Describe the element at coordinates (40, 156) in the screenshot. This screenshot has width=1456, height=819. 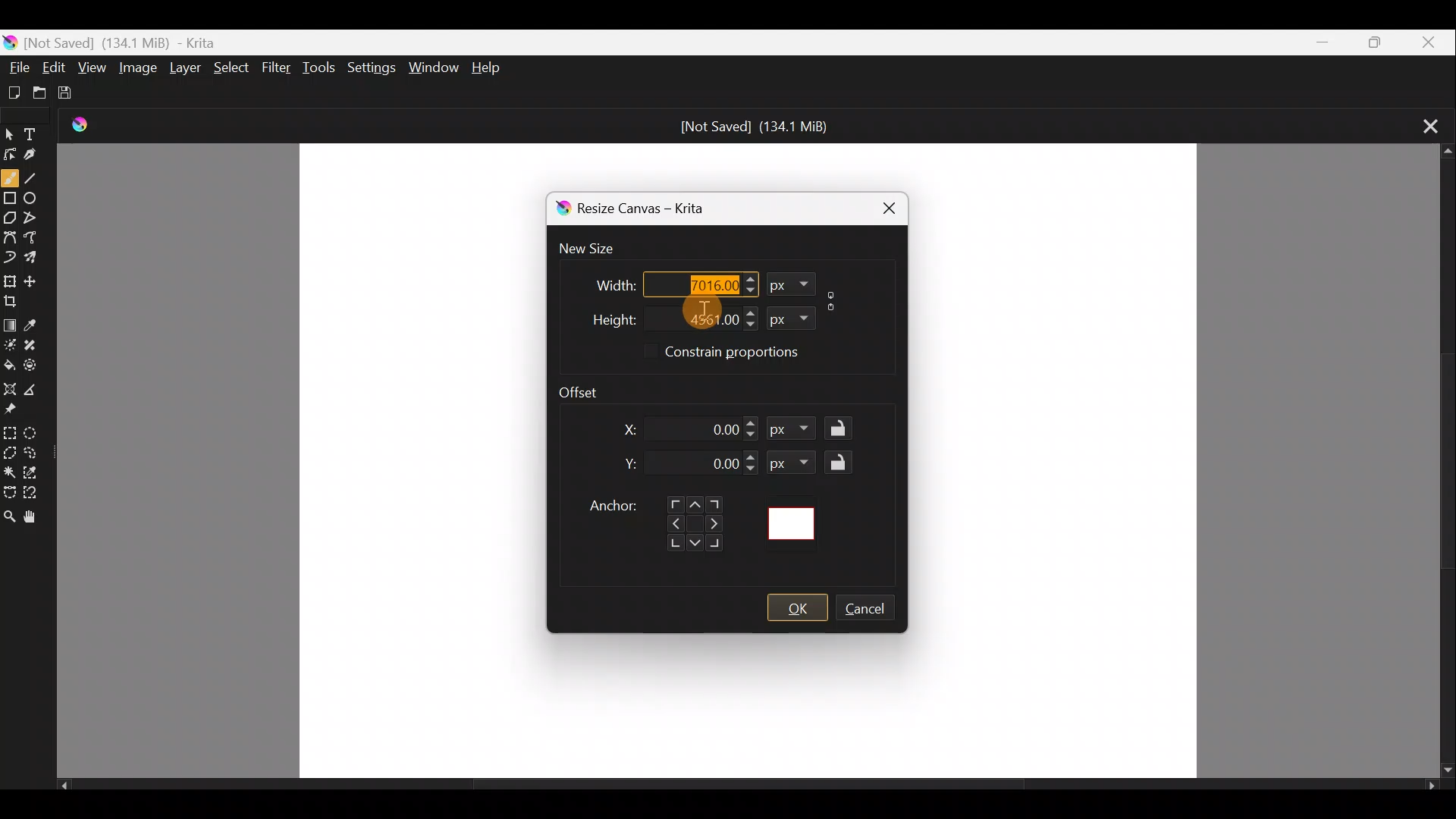
I see `Calligraphy` at that location.